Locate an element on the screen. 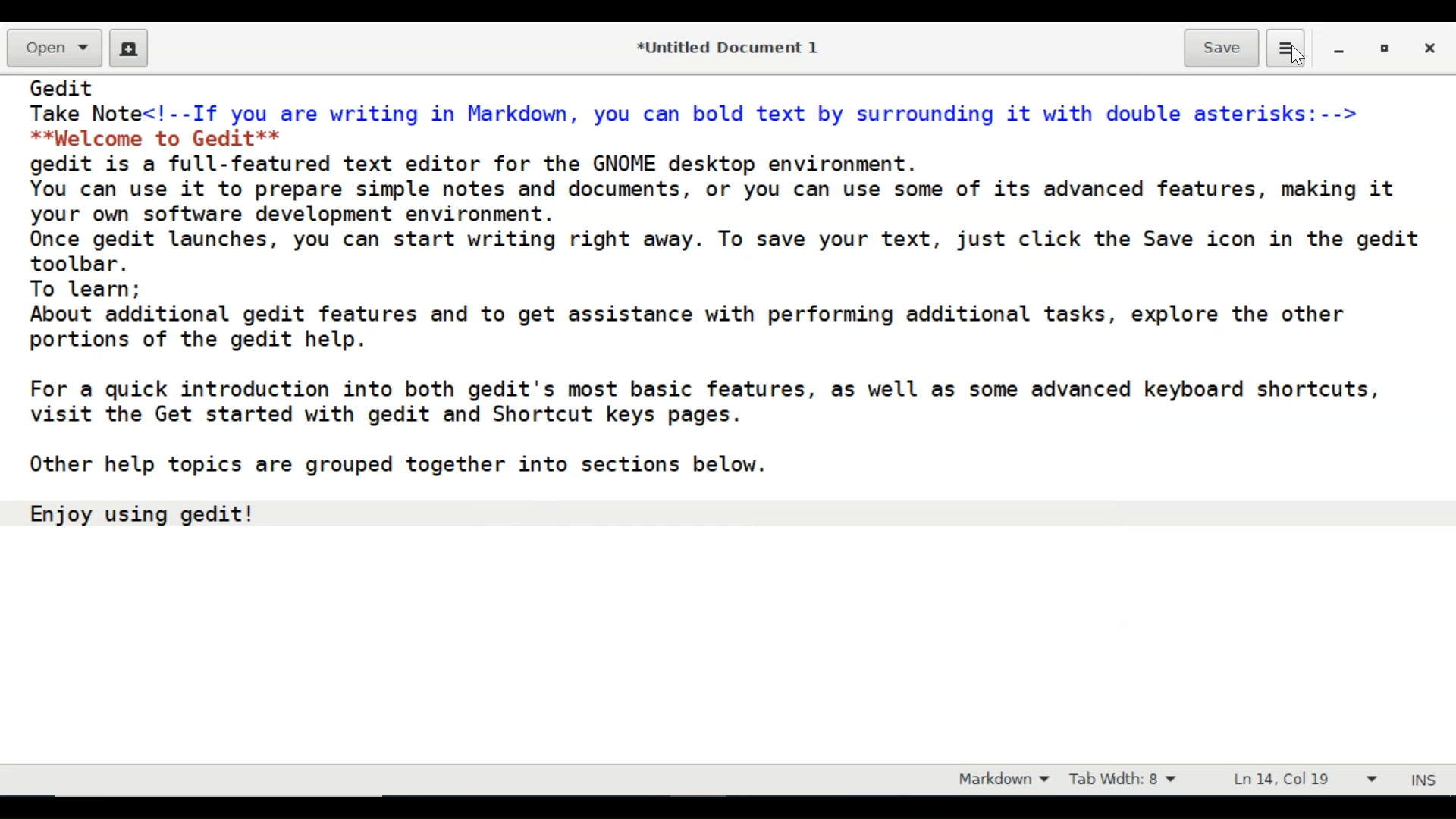 The image size is (1456, 819). Line and Column prefernce is located at coordinates (1308, 781).